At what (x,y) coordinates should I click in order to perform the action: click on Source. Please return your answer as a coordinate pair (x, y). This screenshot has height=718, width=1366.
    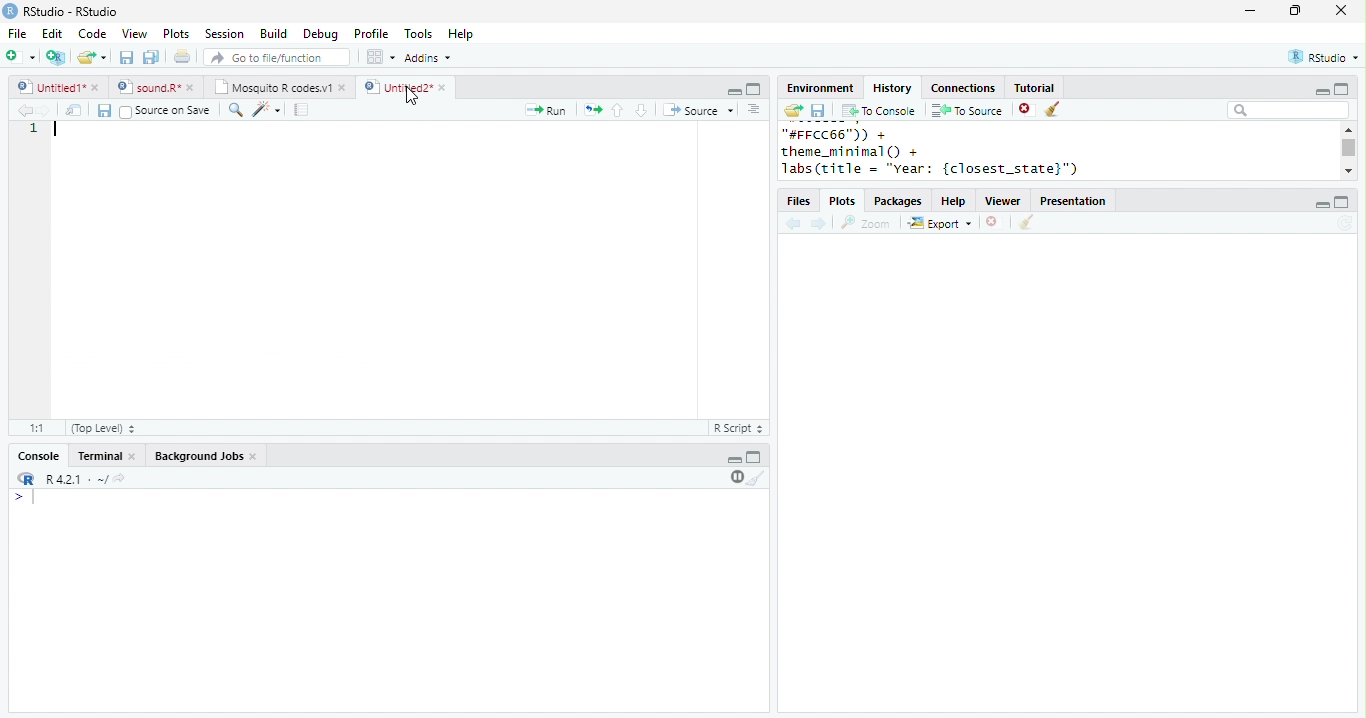
    Looking at the image, I should click on (700, 110).